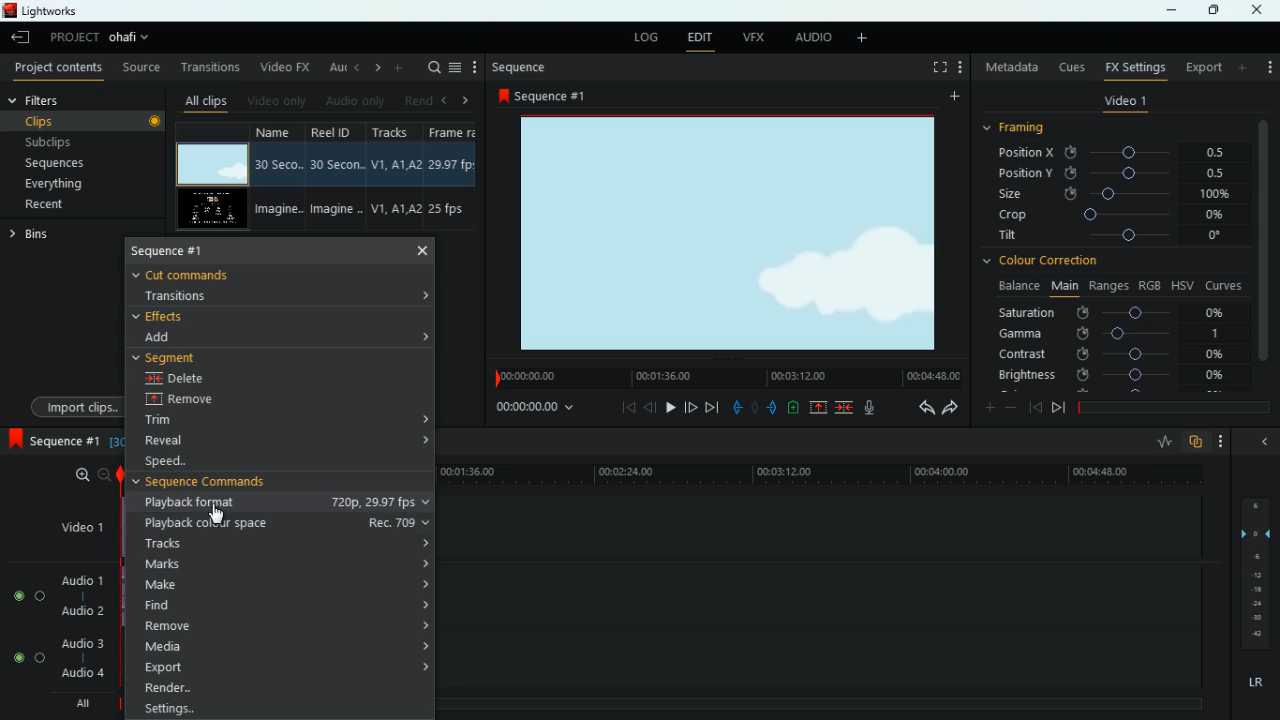  What do you see at coordinates (186, 440) in the screenshot?
I see `reveal` at bounding box center [186, 440].